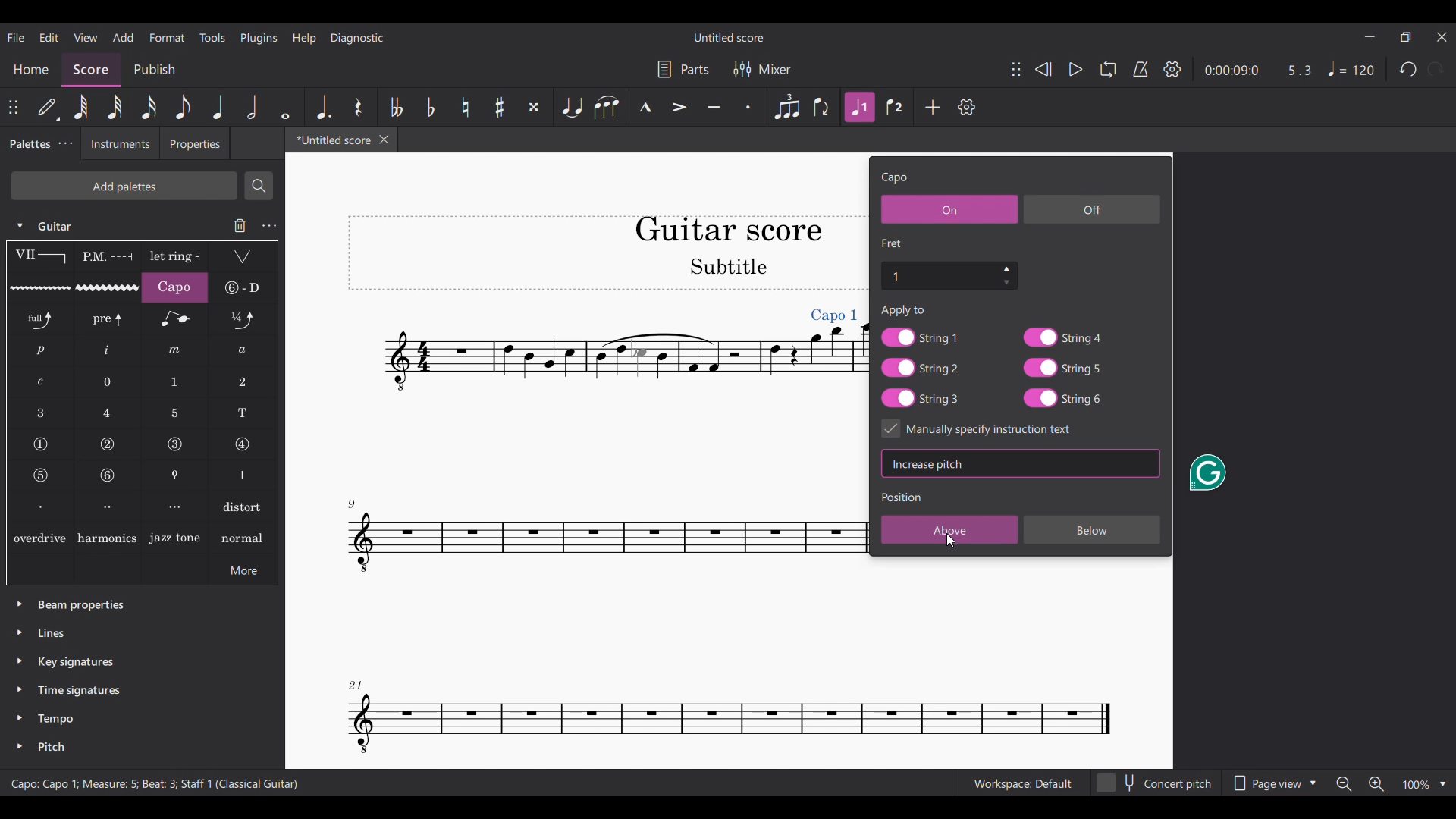 This screenshot has height=819, width=1456. What do you see at coordinates (834, 315) in the screenshot?
I see `Capo added` at bounding box center [834, 315].